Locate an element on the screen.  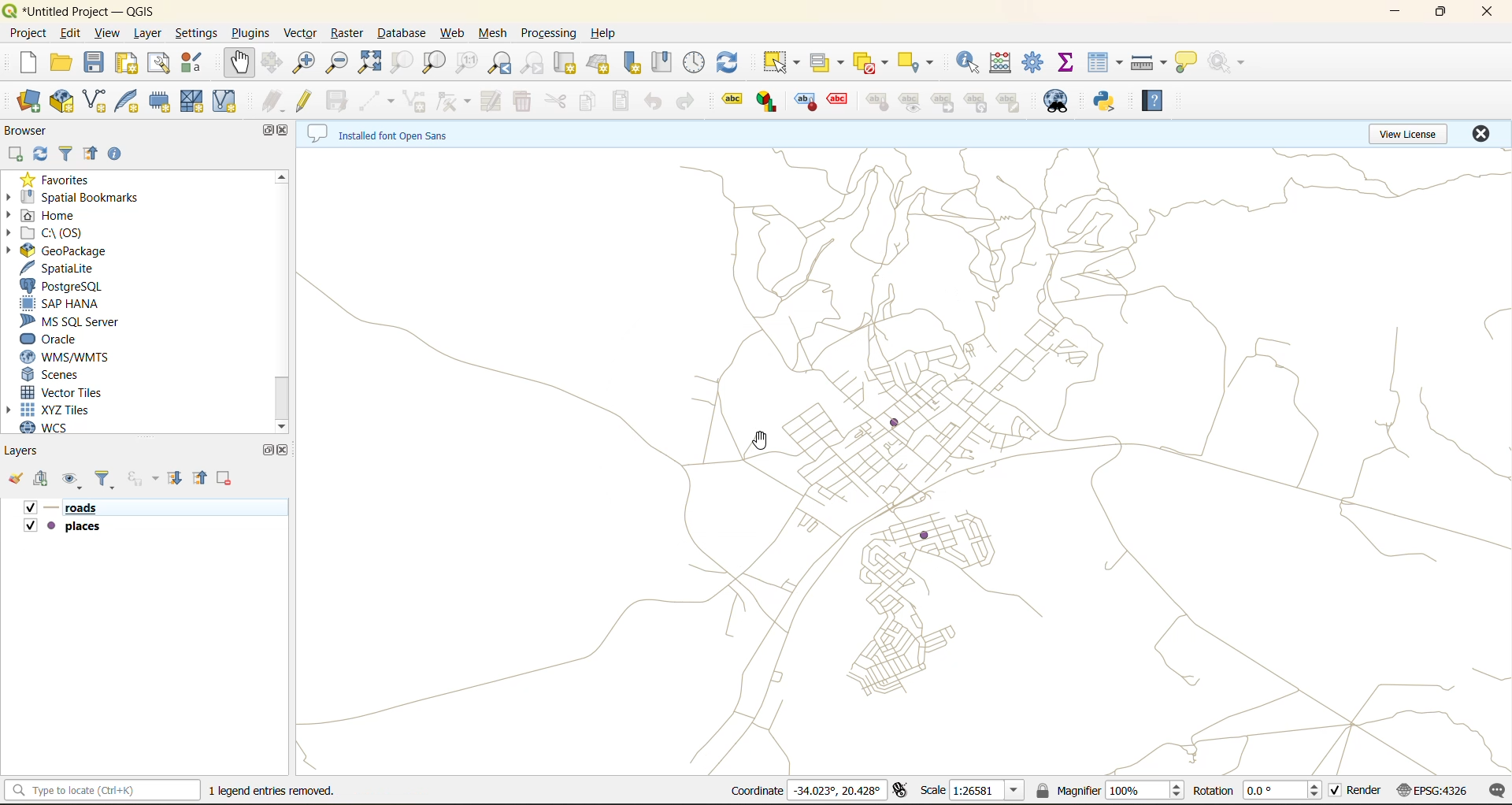
open is located at coordinates (18, 480).